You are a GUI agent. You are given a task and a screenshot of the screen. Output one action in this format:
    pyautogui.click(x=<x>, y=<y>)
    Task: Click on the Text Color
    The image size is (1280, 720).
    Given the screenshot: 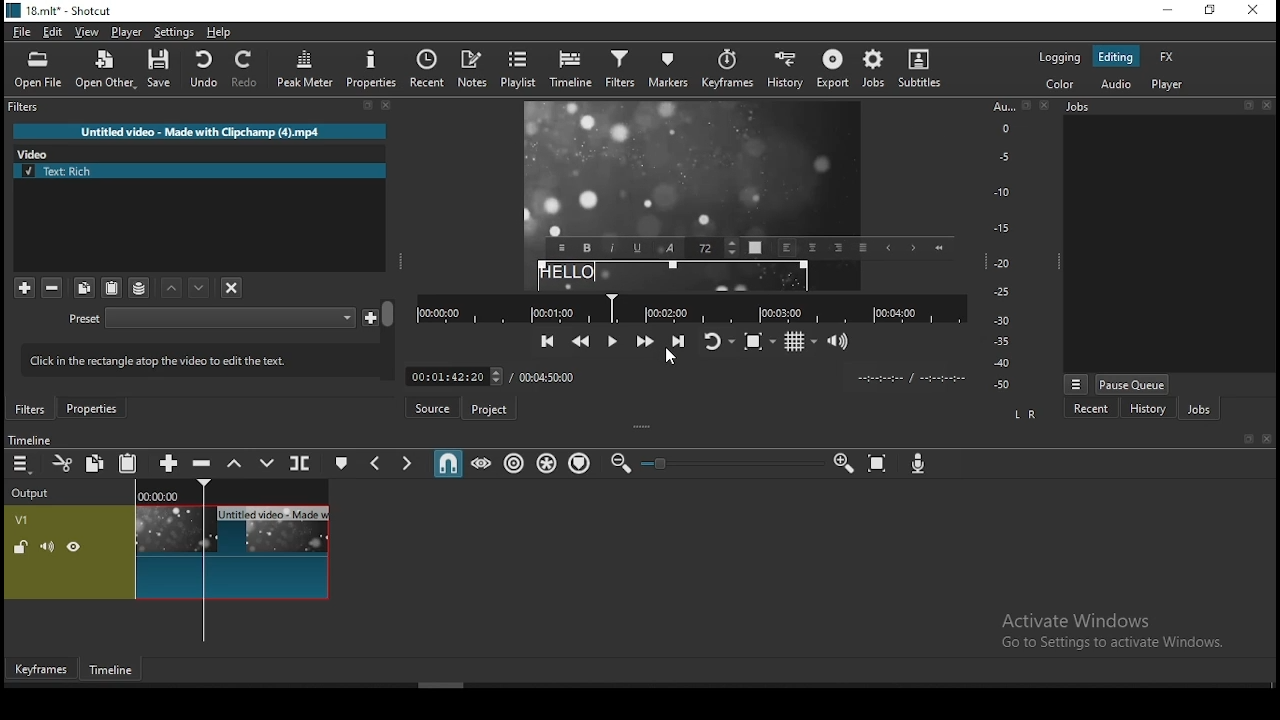 What is the action you would take?
    pyautogui.click(x=755, y=247)
    